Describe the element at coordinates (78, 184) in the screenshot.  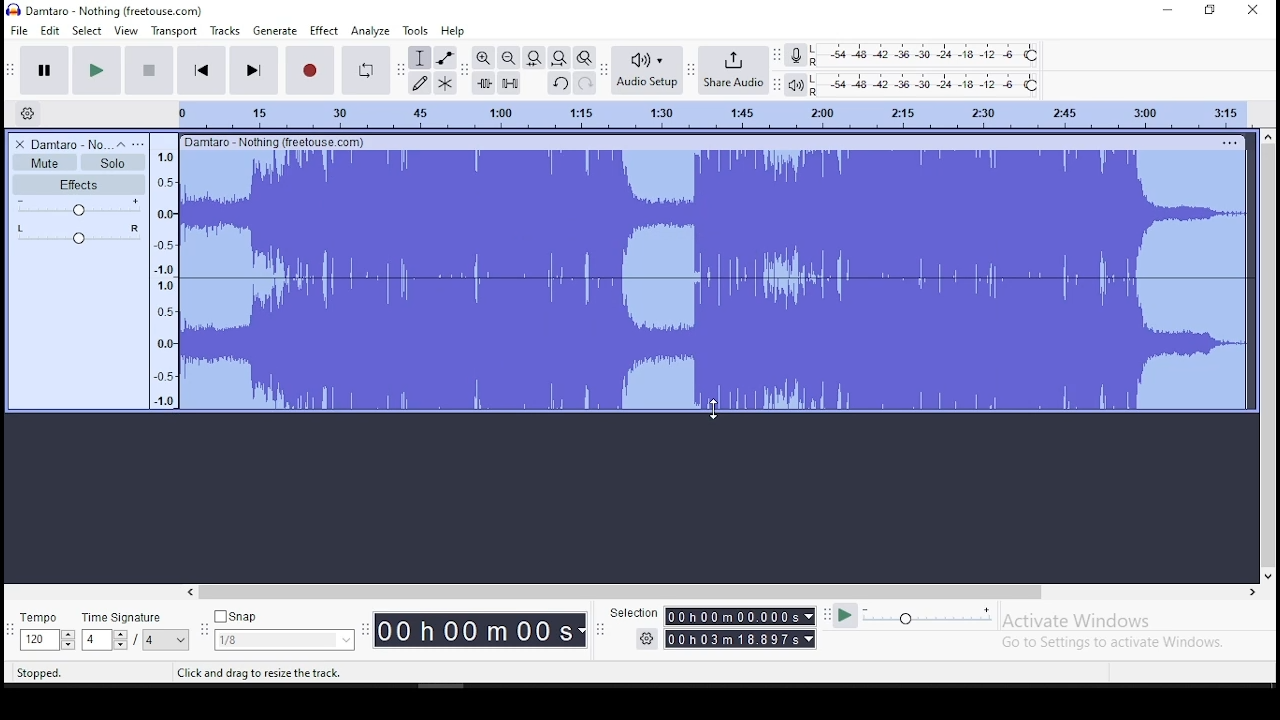
I see `effects` at that location.